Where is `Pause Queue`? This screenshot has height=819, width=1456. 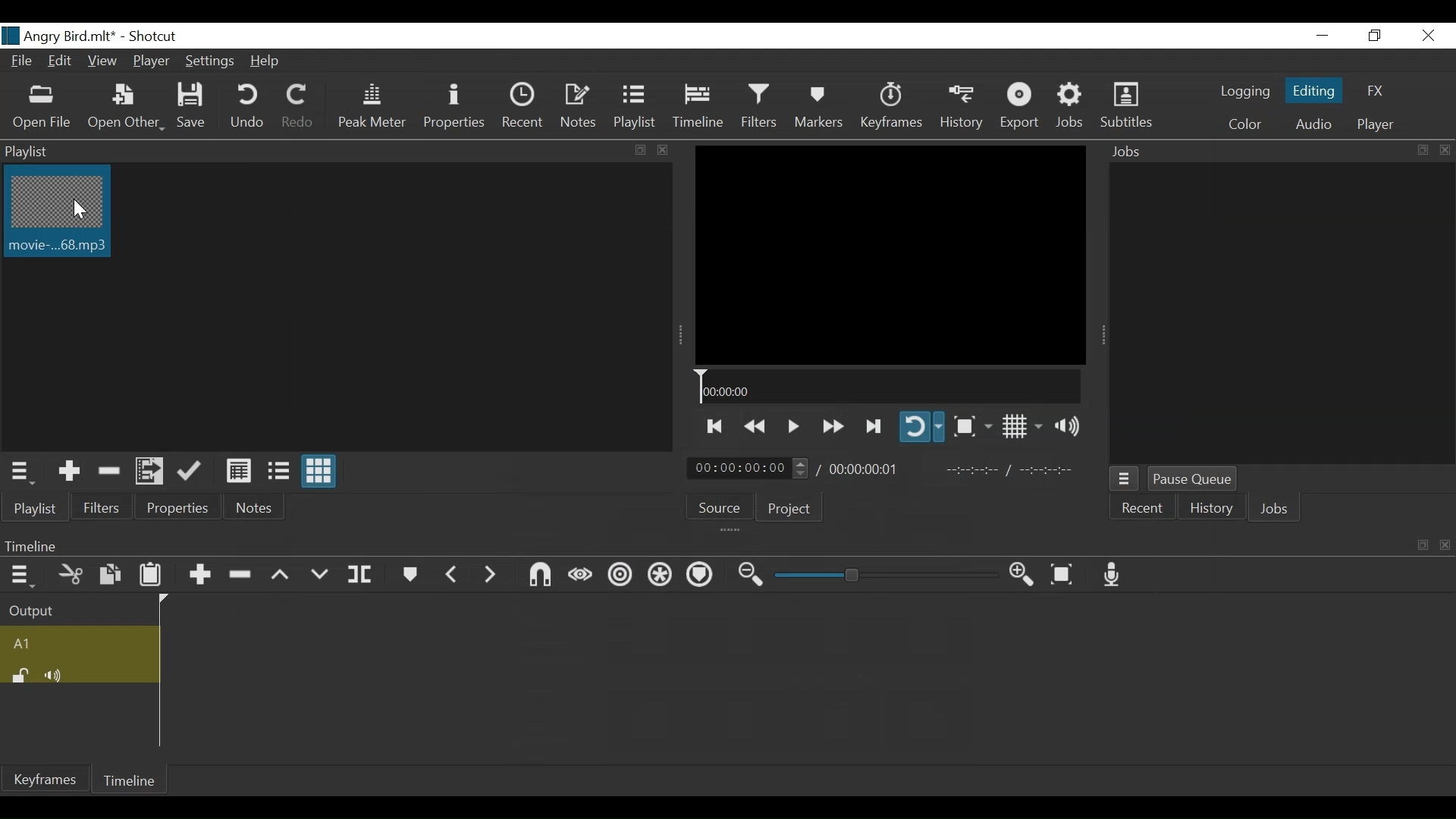
Pause Queue is located at coordinates (1193, 479).